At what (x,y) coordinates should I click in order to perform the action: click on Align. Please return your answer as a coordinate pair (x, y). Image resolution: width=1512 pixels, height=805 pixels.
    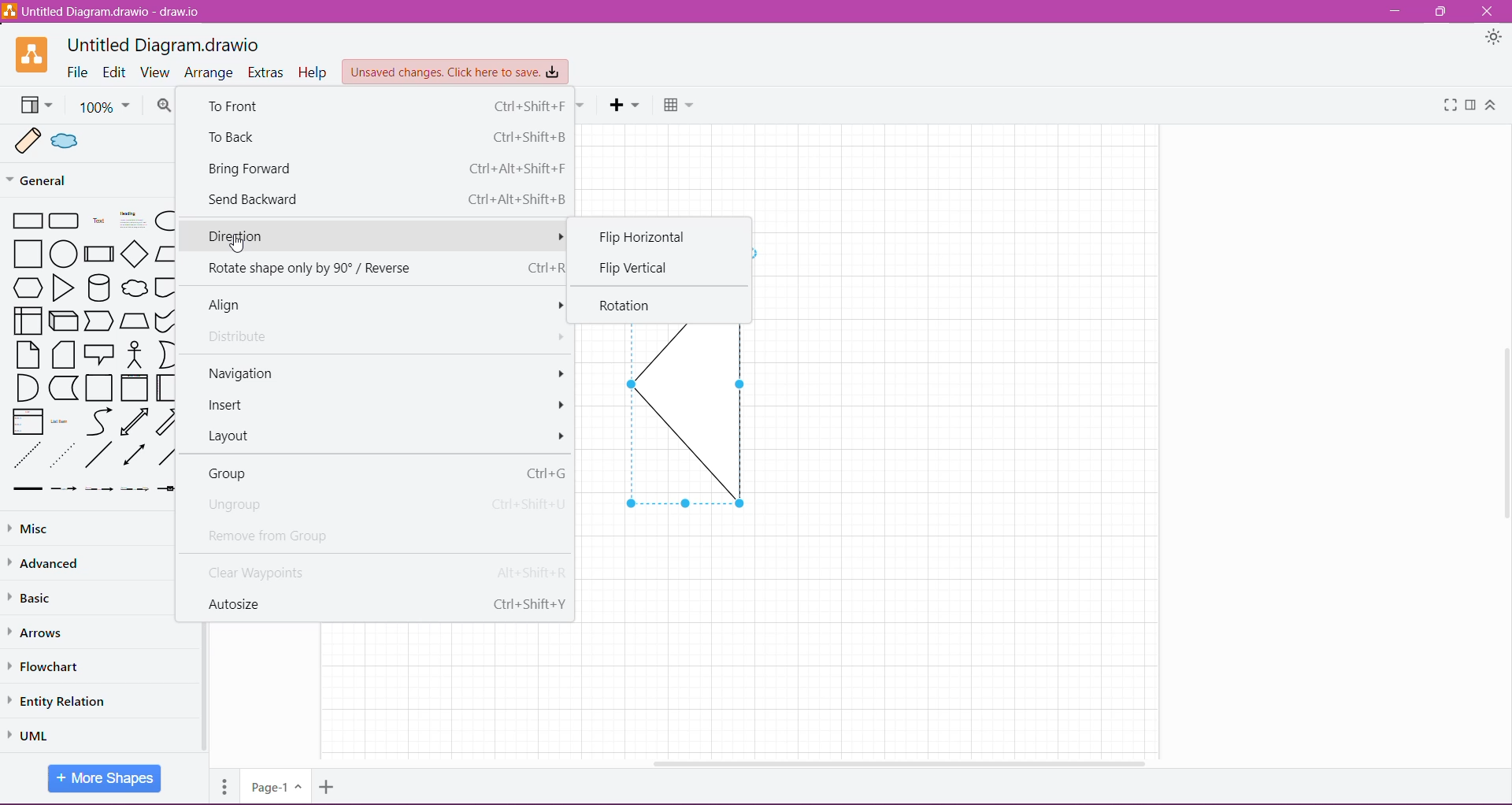
    Looking at the image, I should click on (380, 305).